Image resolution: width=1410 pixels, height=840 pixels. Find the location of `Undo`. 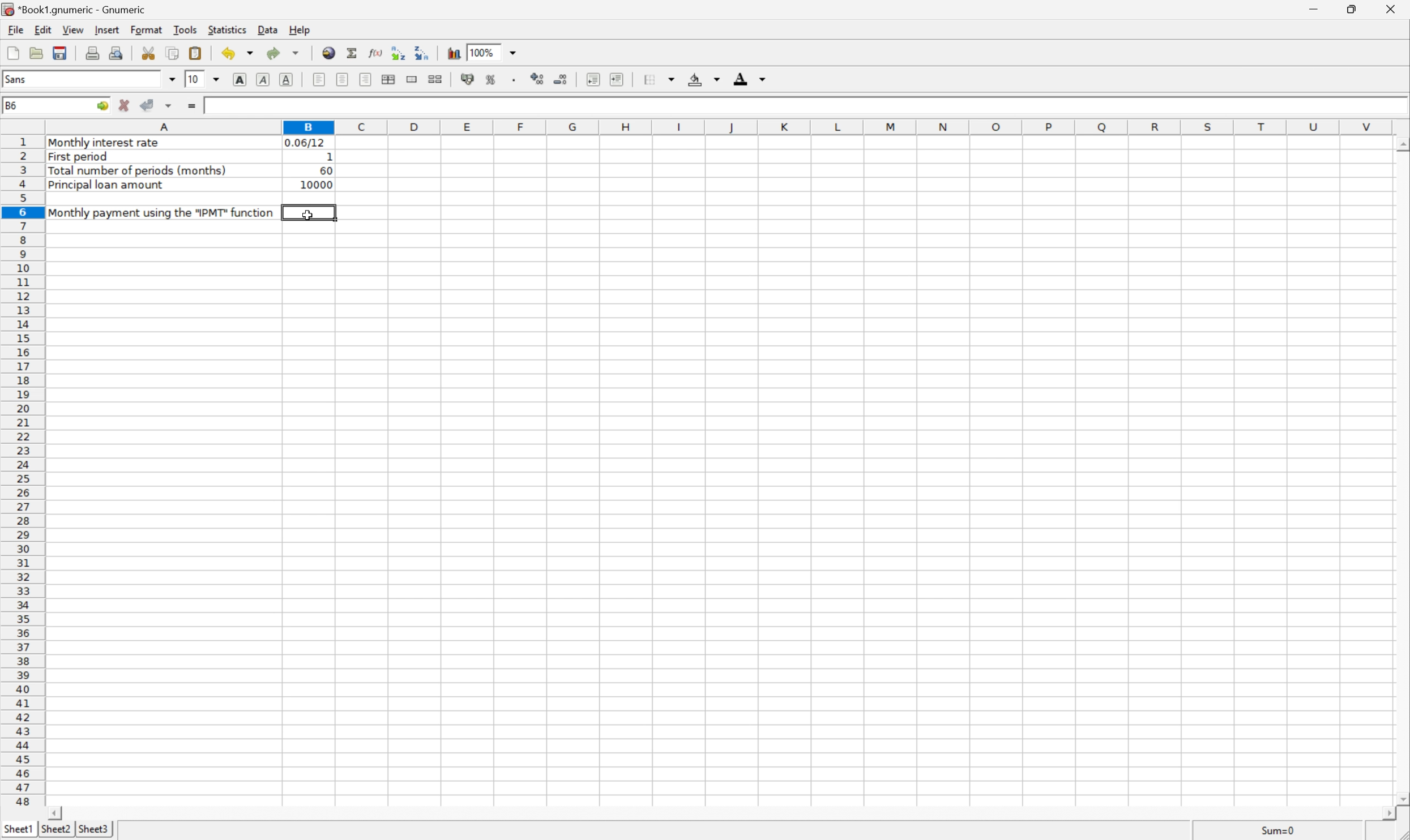

Undo is located at coordinates (239, 52).